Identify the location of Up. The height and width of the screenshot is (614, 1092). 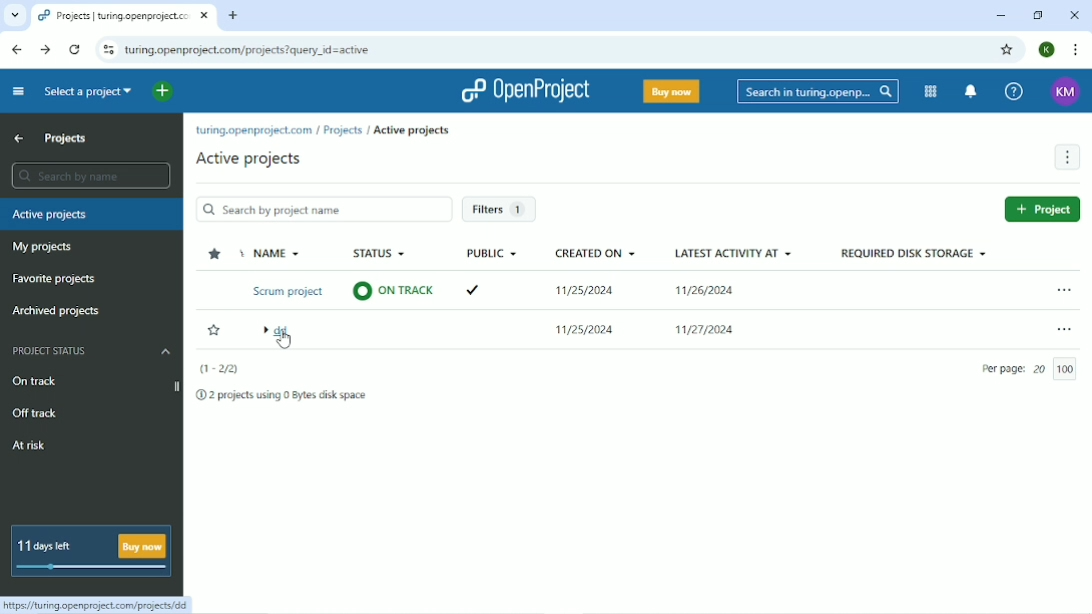
(18, 139).